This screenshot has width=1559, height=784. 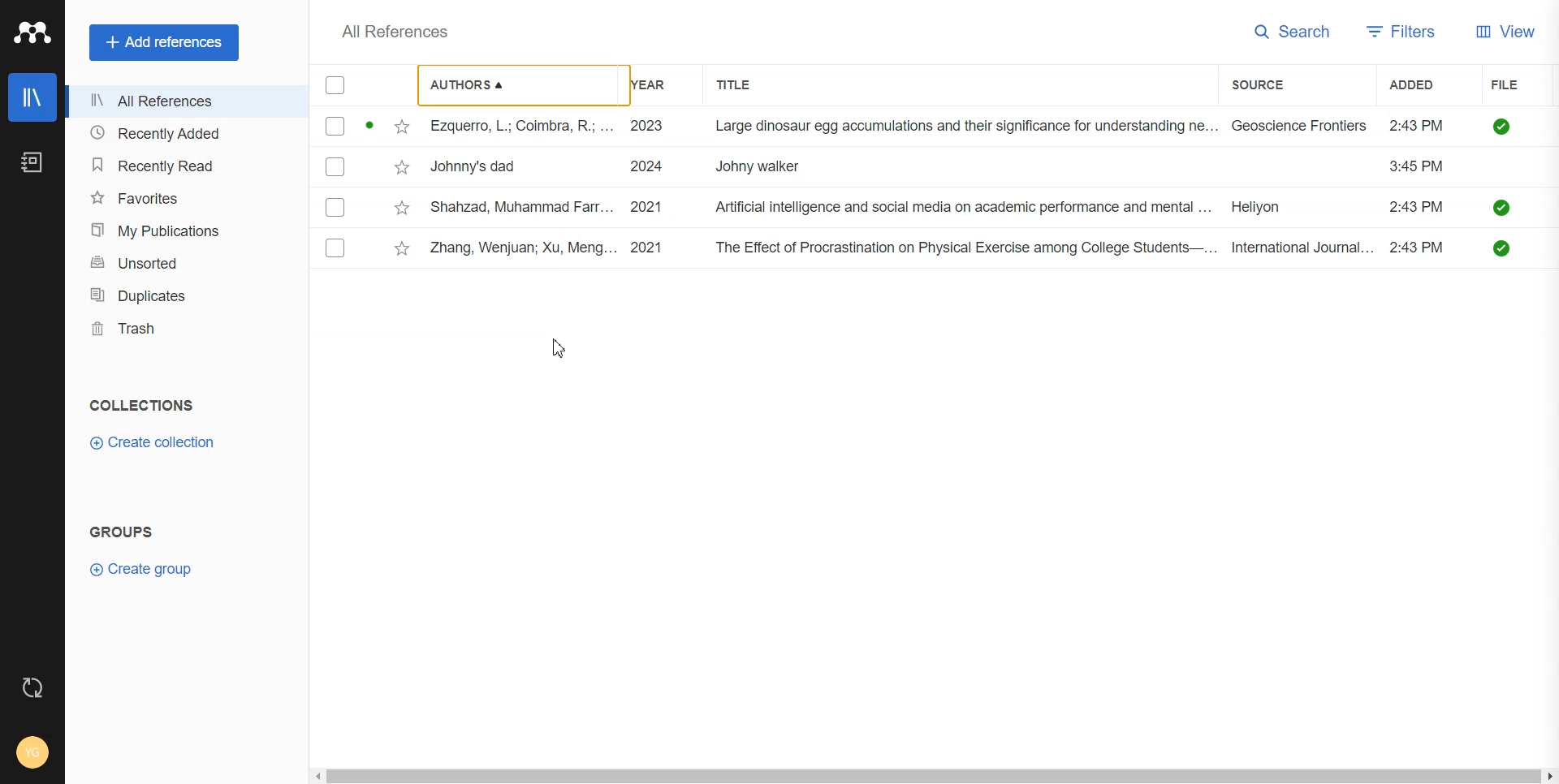 I want to click on Account, so click(x=31, y=753).